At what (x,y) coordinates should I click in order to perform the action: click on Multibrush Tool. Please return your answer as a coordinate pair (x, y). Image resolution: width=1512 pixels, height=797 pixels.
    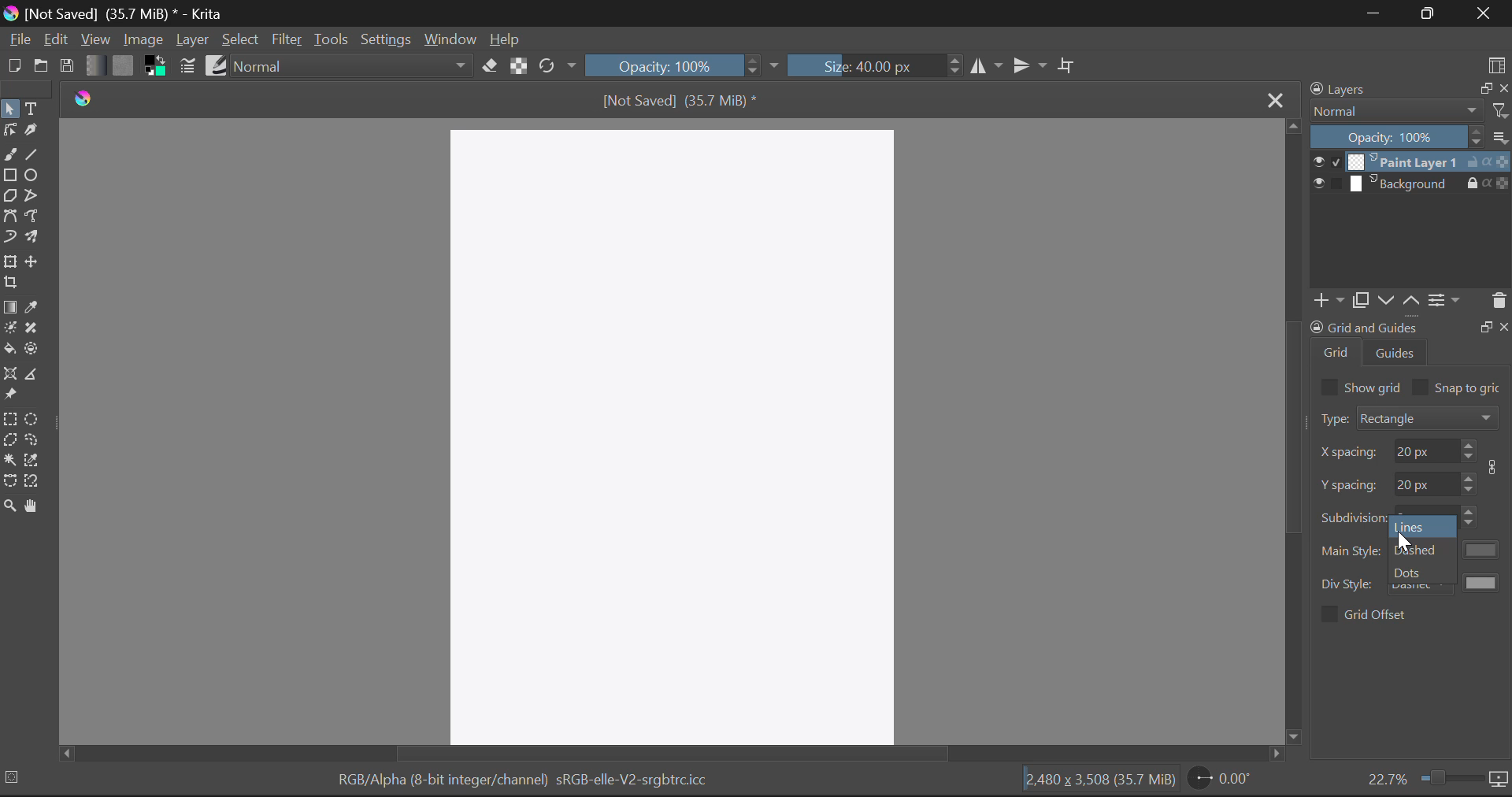
    Looking at the image, I should click on (35, 239).